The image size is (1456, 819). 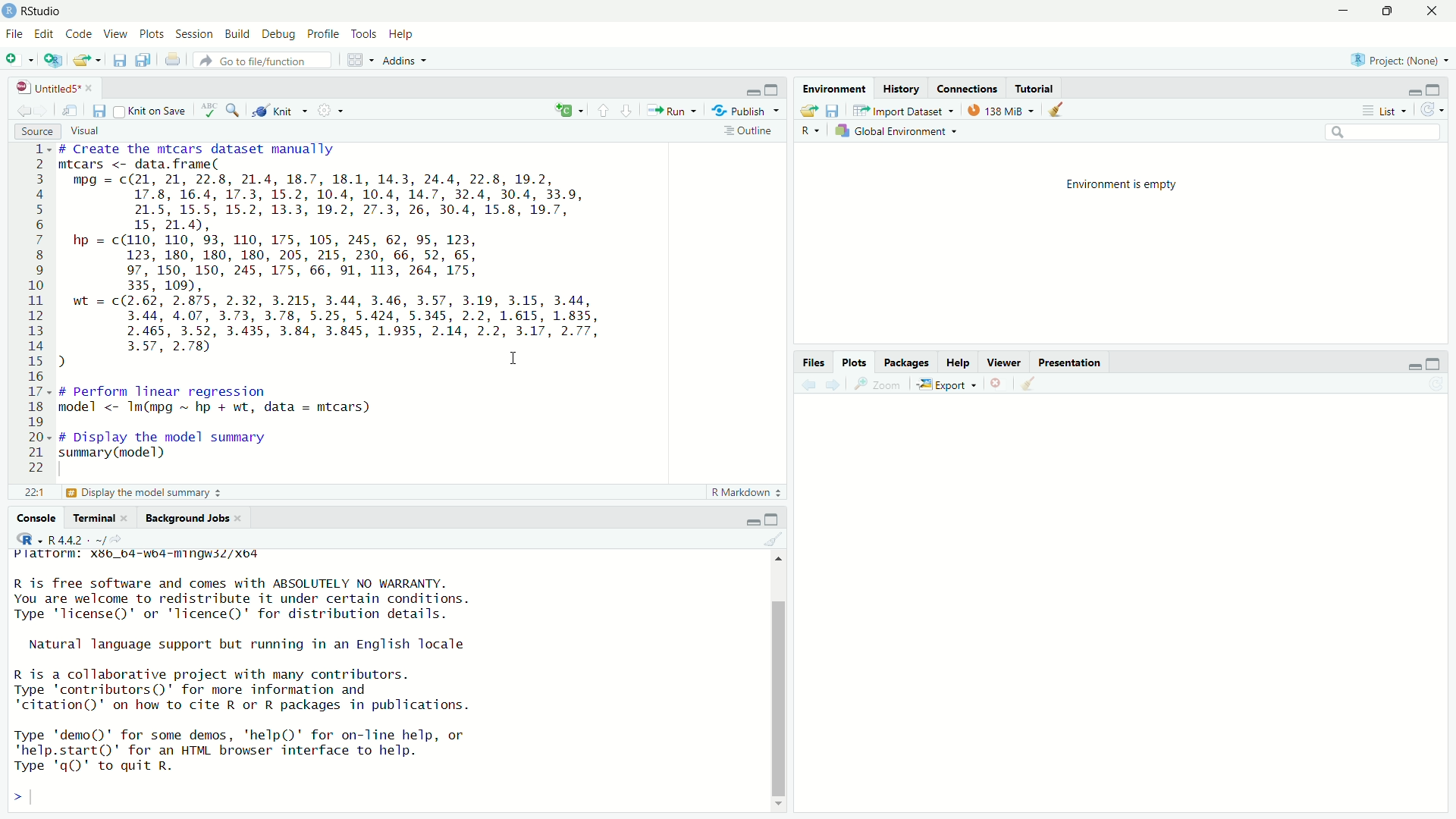 What do you see at coordinates (325, 33) in the screenshot?
I see `profile` at bounding box center [325, 33].